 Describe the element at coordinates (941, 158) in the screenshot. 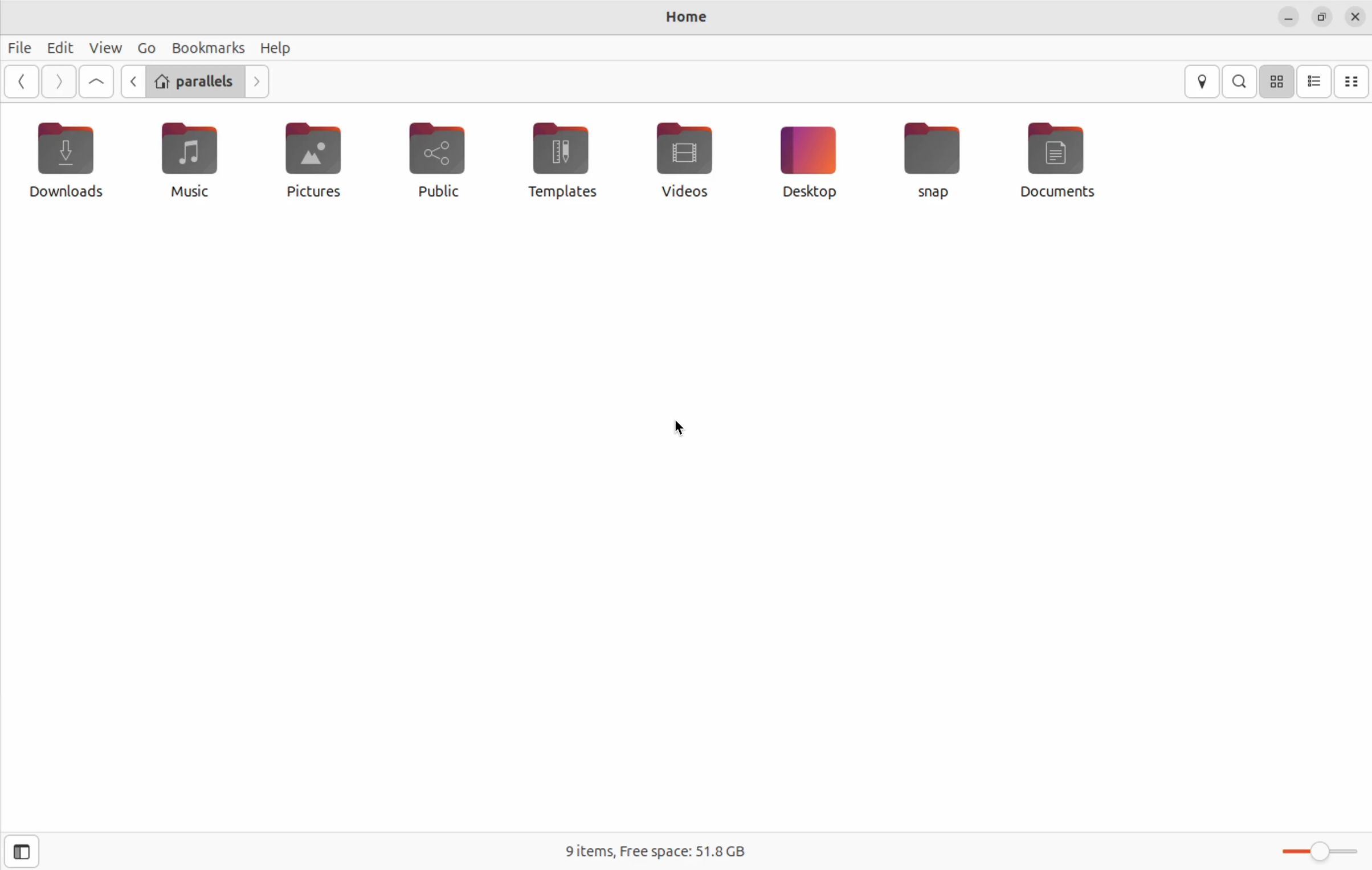

I see `Documents` at that location.